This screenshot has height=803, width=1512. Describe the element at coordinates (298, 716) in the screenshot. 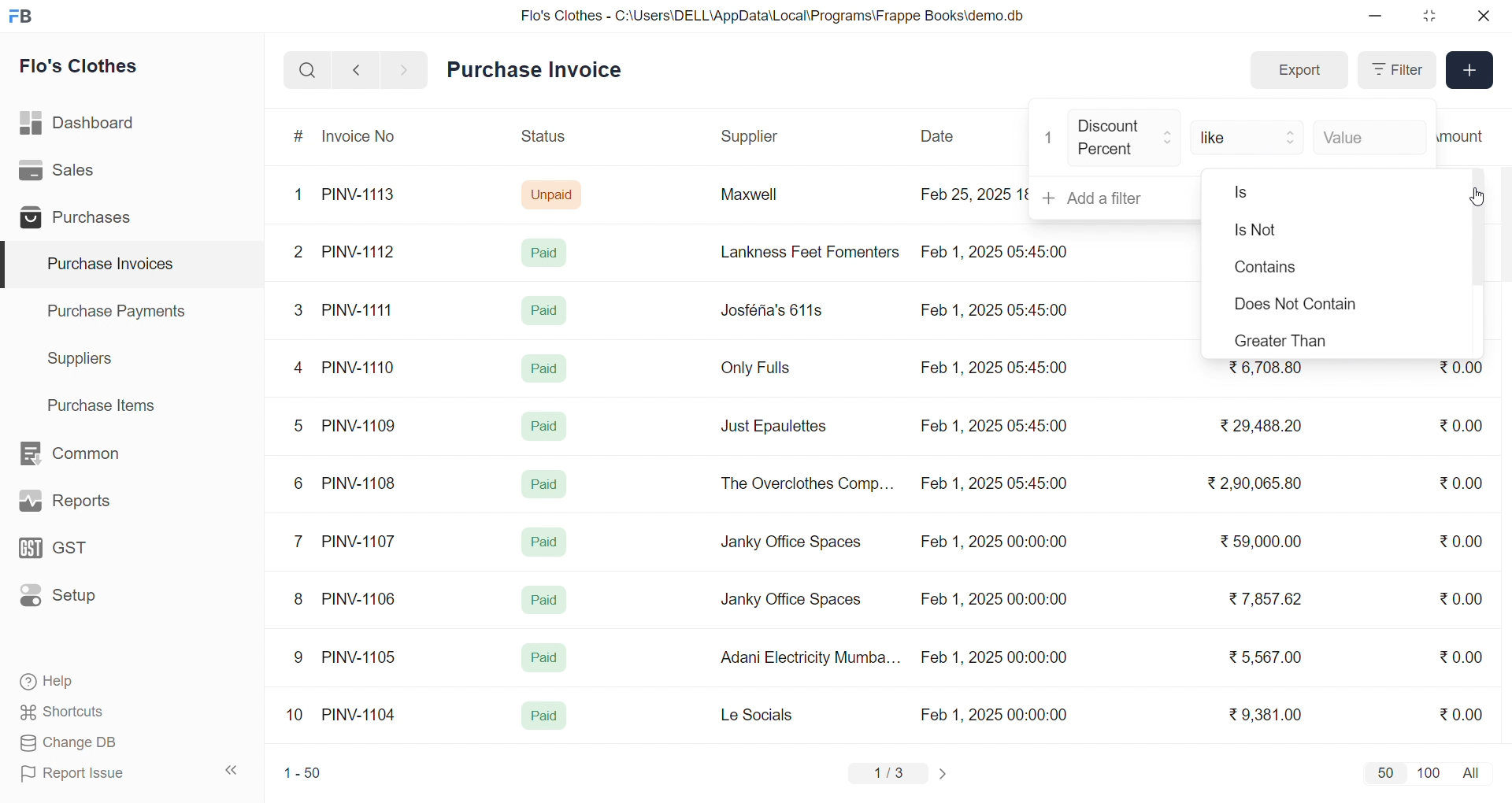

I see `10` at that location.